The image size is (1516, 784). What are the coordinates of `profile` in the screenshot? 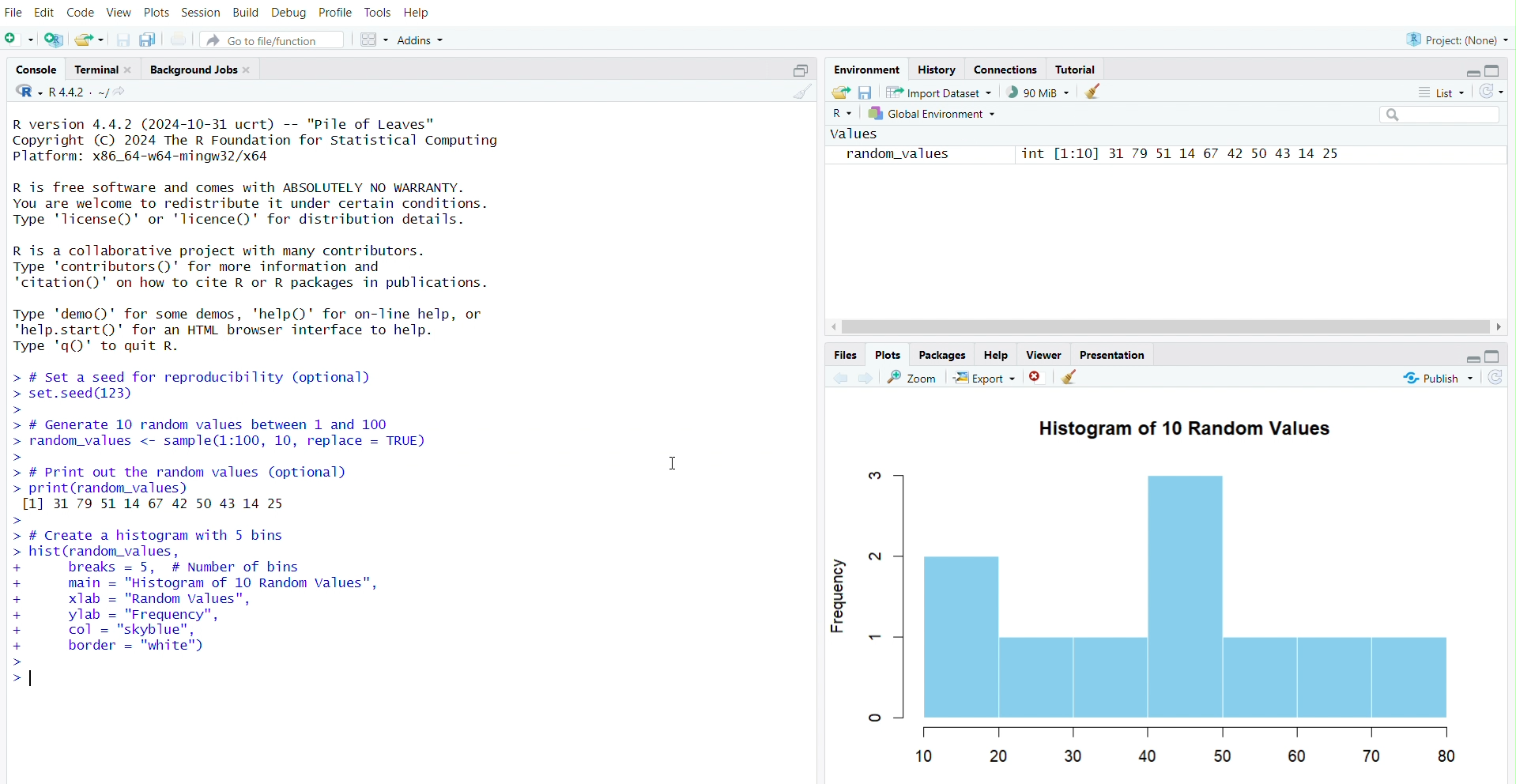 It's located at (334, 10).